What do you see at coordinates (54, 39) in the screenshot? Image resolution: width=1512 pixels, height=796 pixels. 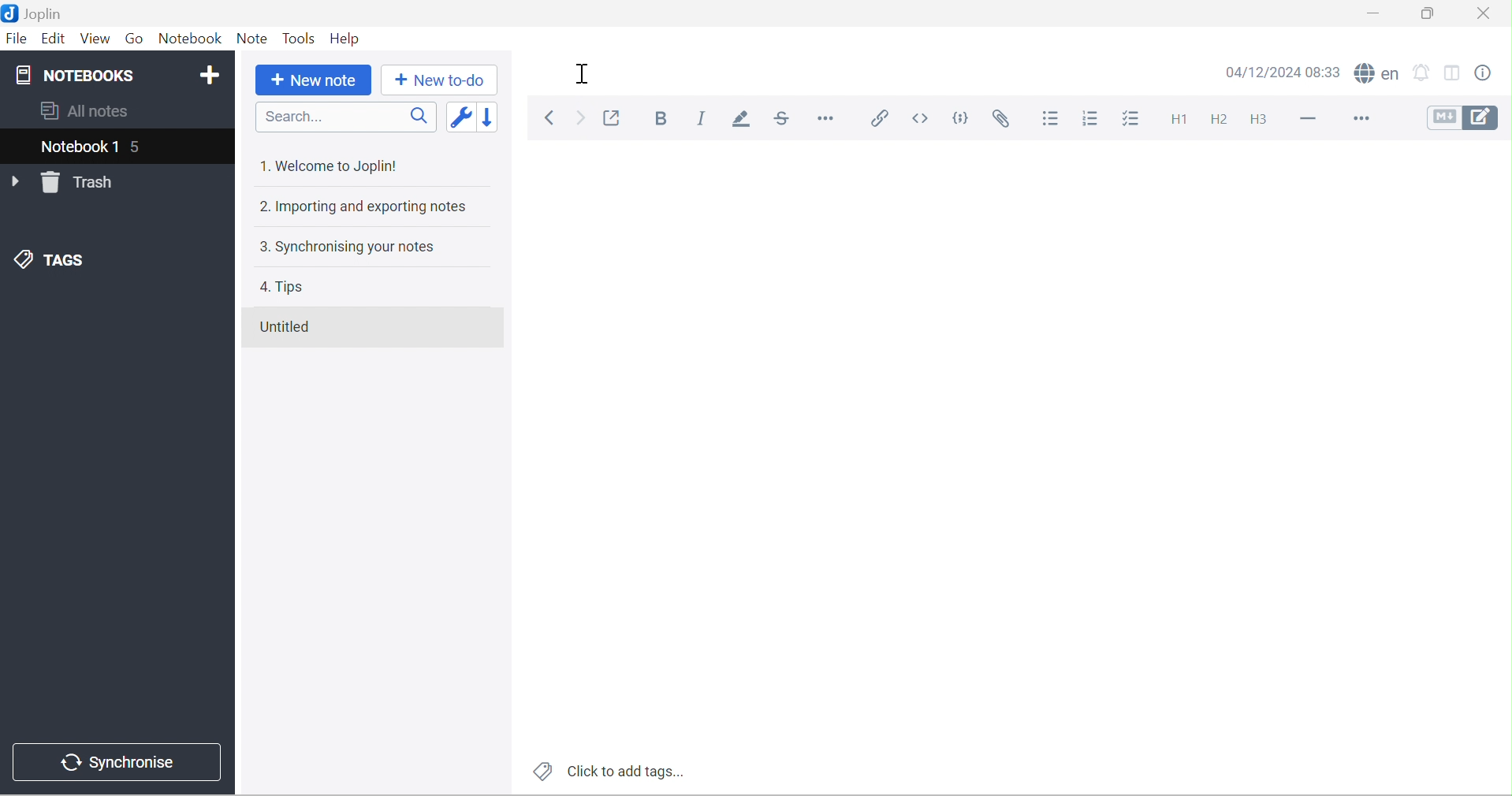 I see `Edit` at bounding box center [54, 39].